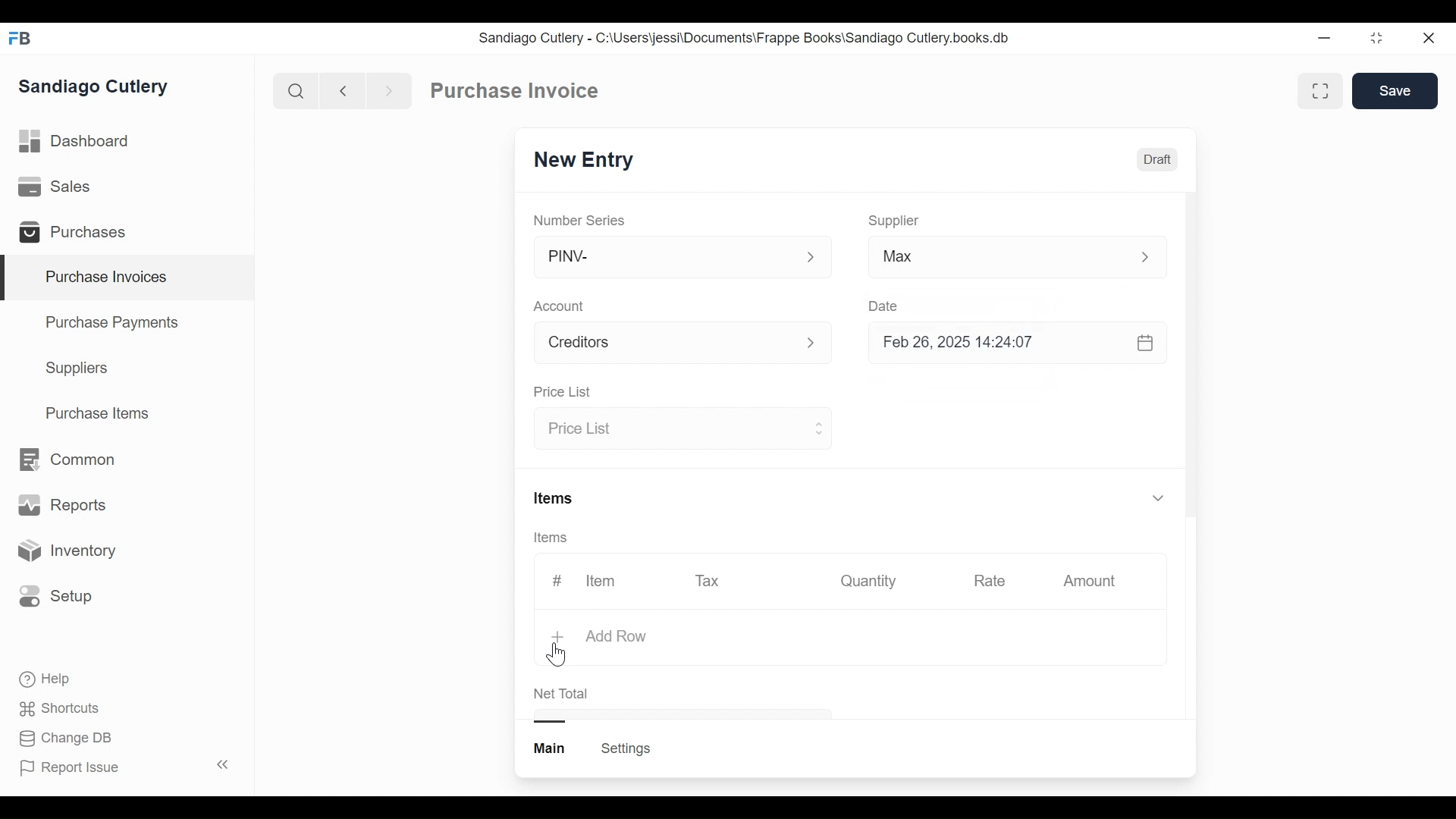 The height and width of the screenshot is (819, 1456). I want to click on Change DB, so click(68, 739).